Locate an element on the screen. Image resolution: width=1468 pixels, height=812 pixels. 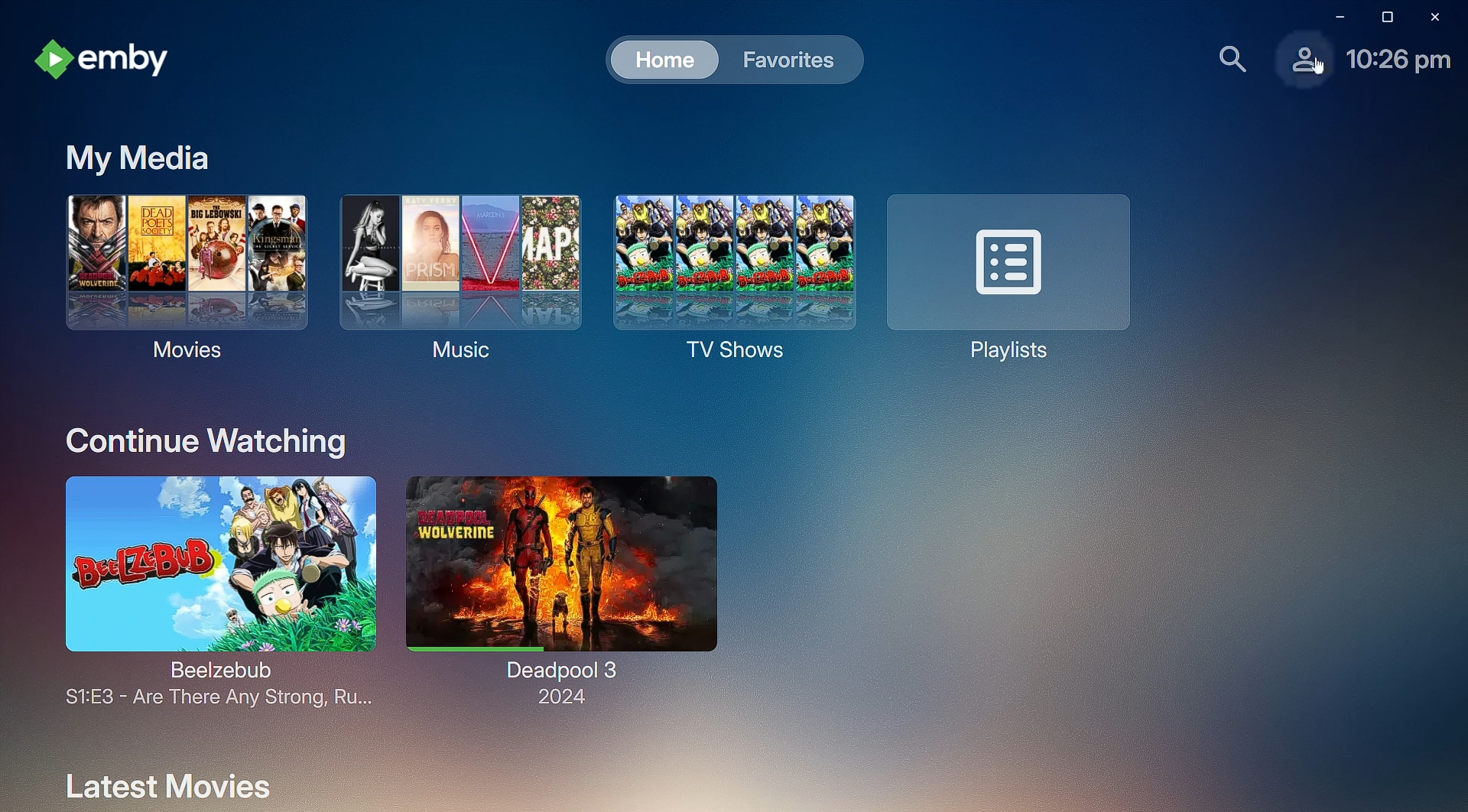
Deadpool 3 is located at coordinates (559, 586).